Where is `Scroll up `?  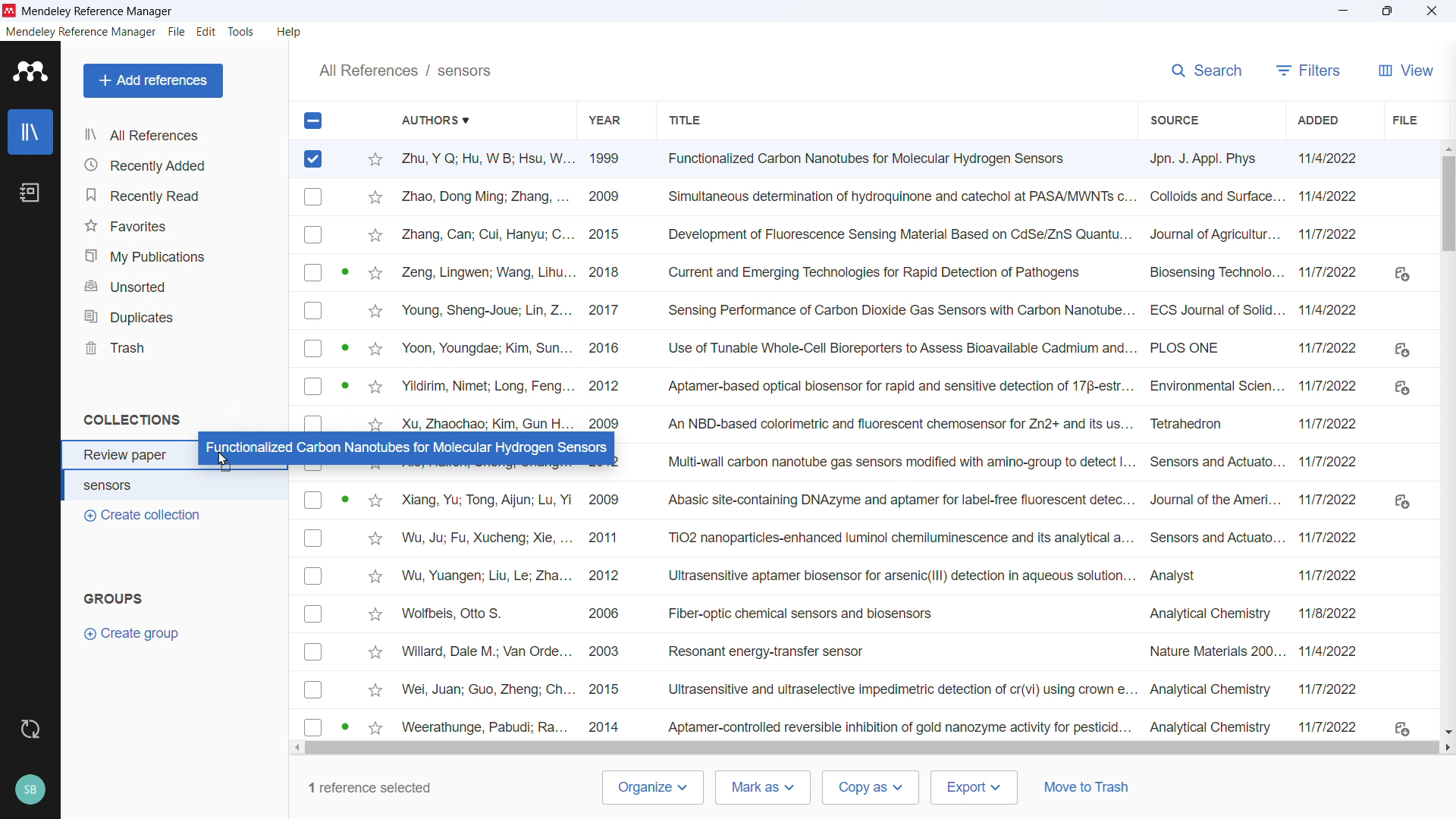 Scroll up  is located at coordinates (1447, 147).